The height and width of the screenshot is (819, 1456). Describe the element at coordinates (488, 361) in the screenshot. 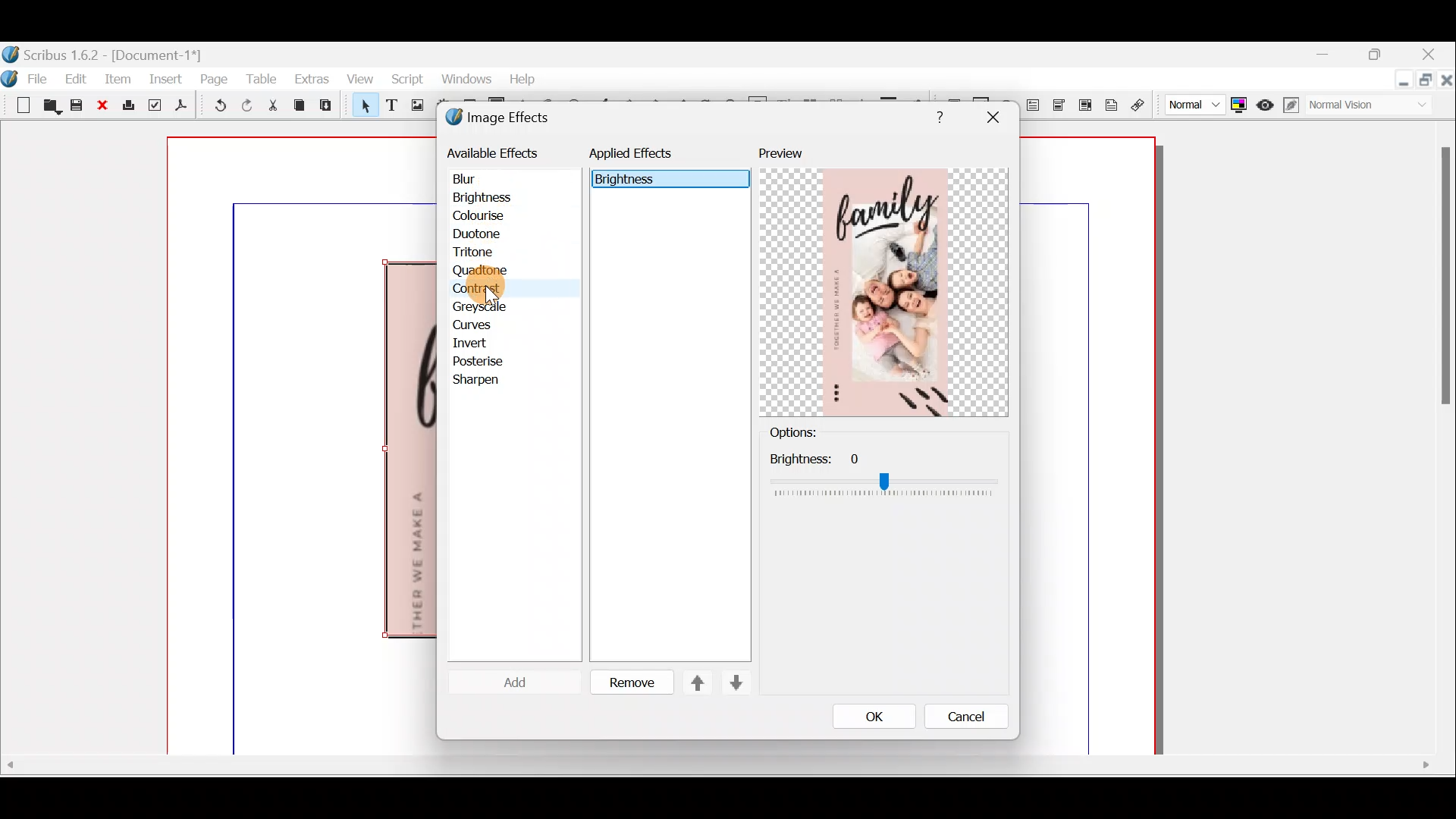

I see `Posterise` at that location.